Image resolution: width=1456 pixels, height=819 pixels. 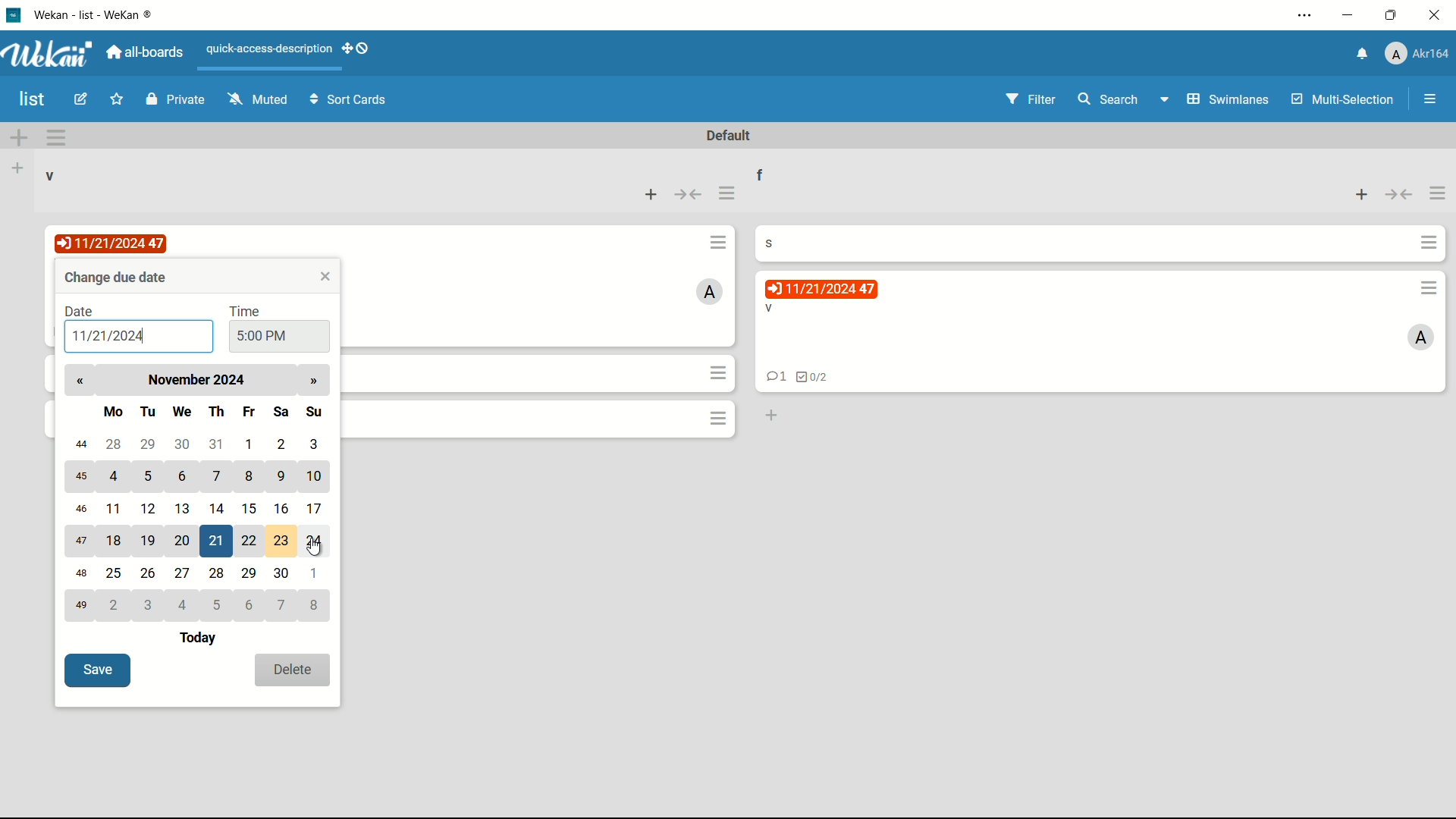 What do you see at coordinates (1421, 338) in the screenshot?
I see `admin` at bounding box center [1421, 338].